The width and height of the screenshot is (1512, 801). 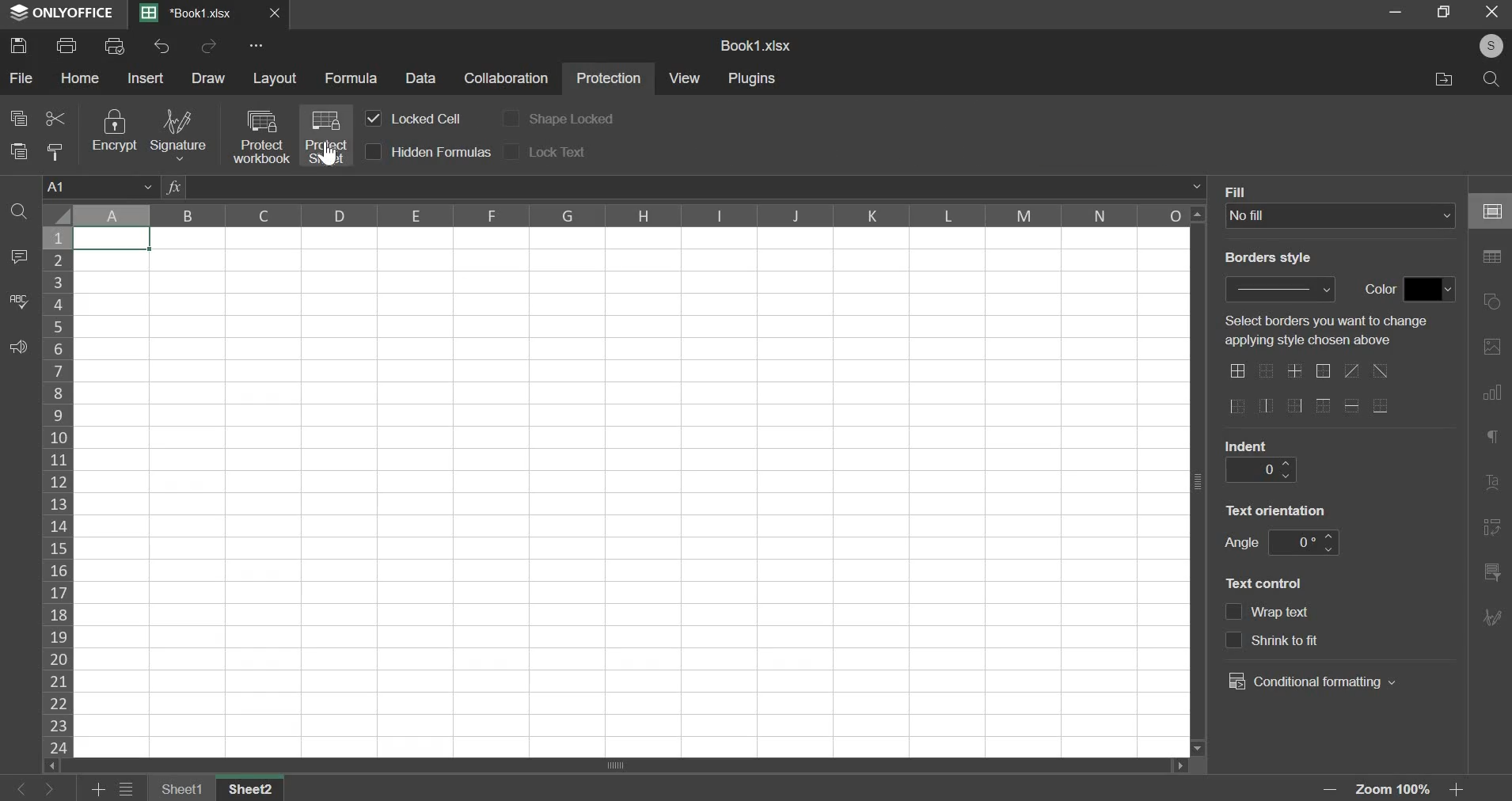 What do you see at coordinates (59, 13) in the screenshot?
I see `ONLYOFFICE` at bounding box center [59, 13].